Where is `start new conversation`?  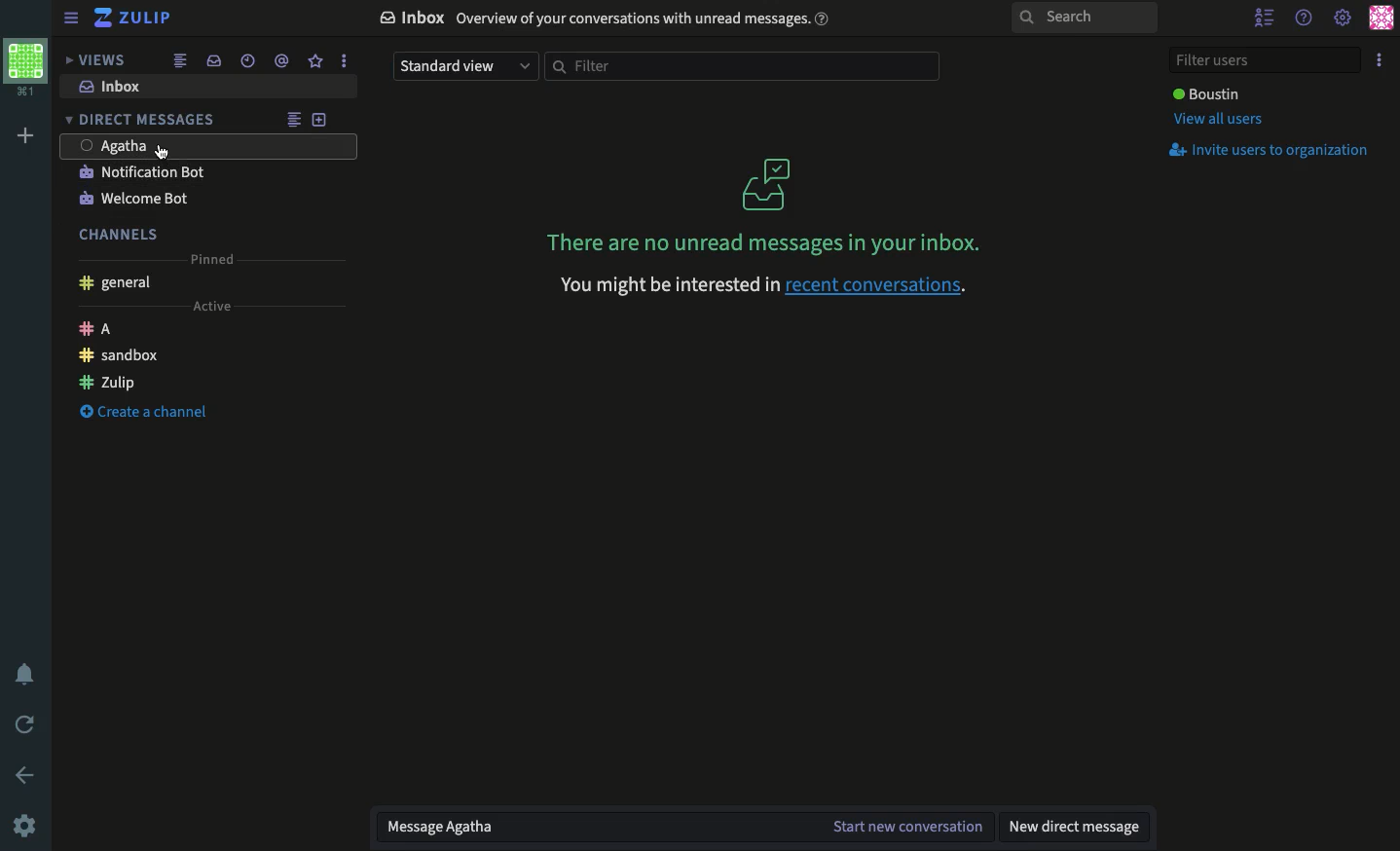 start new conversation is located at coordinates (912, 828).